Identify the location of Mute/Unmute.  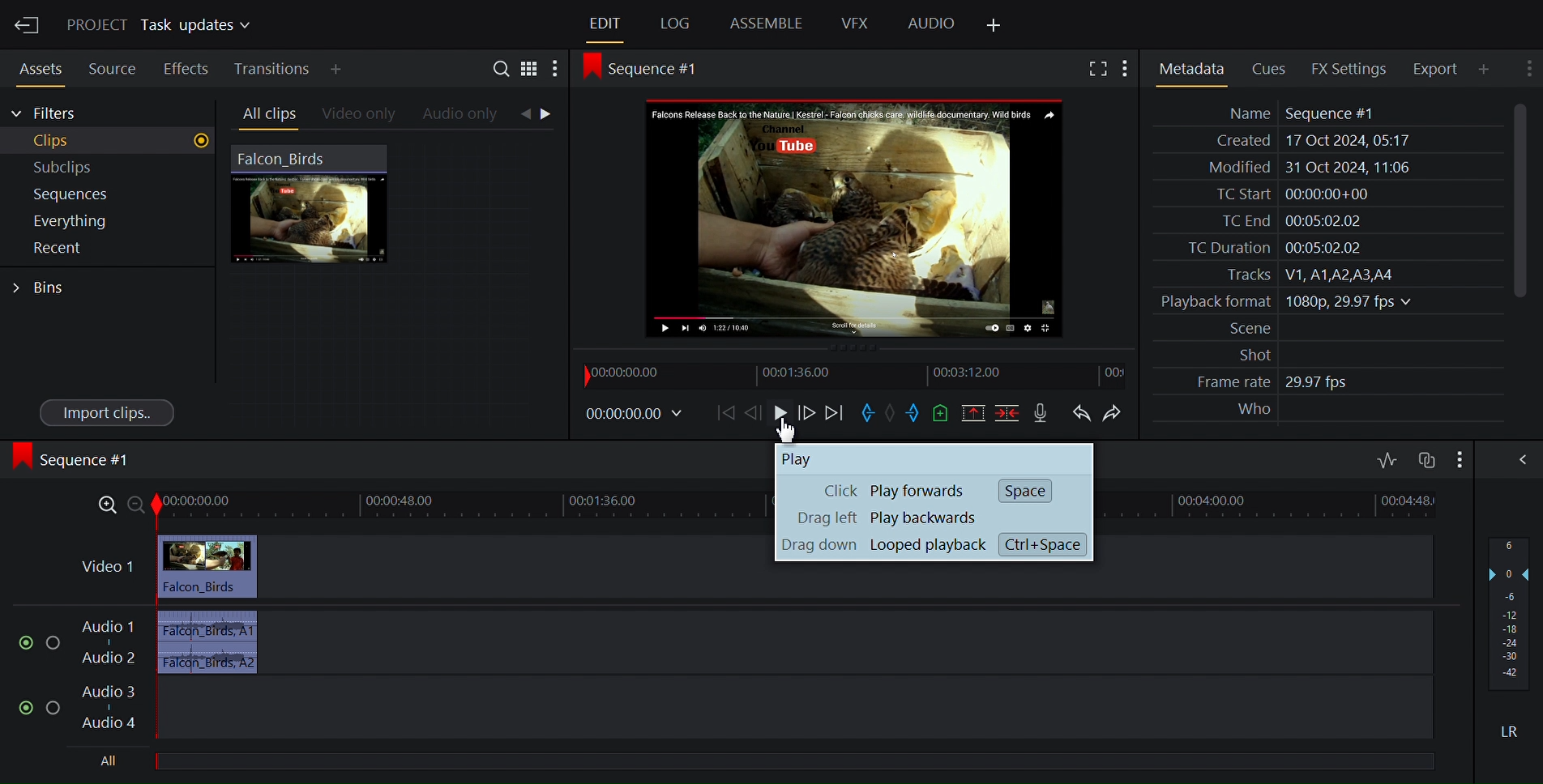
(20, 639).